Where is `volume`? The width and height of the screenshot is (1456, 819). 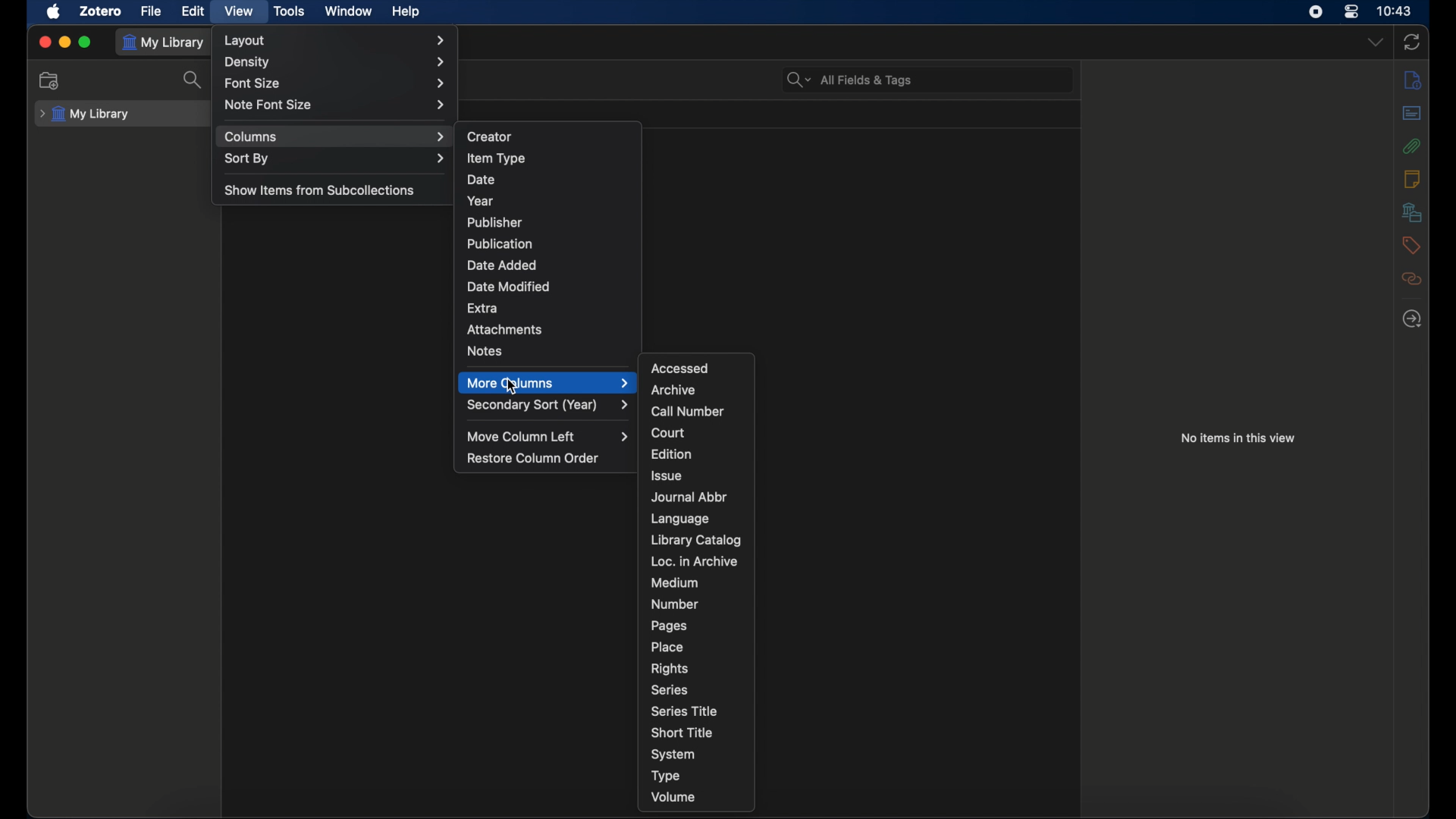
volume is located at coordinates (673, 797).